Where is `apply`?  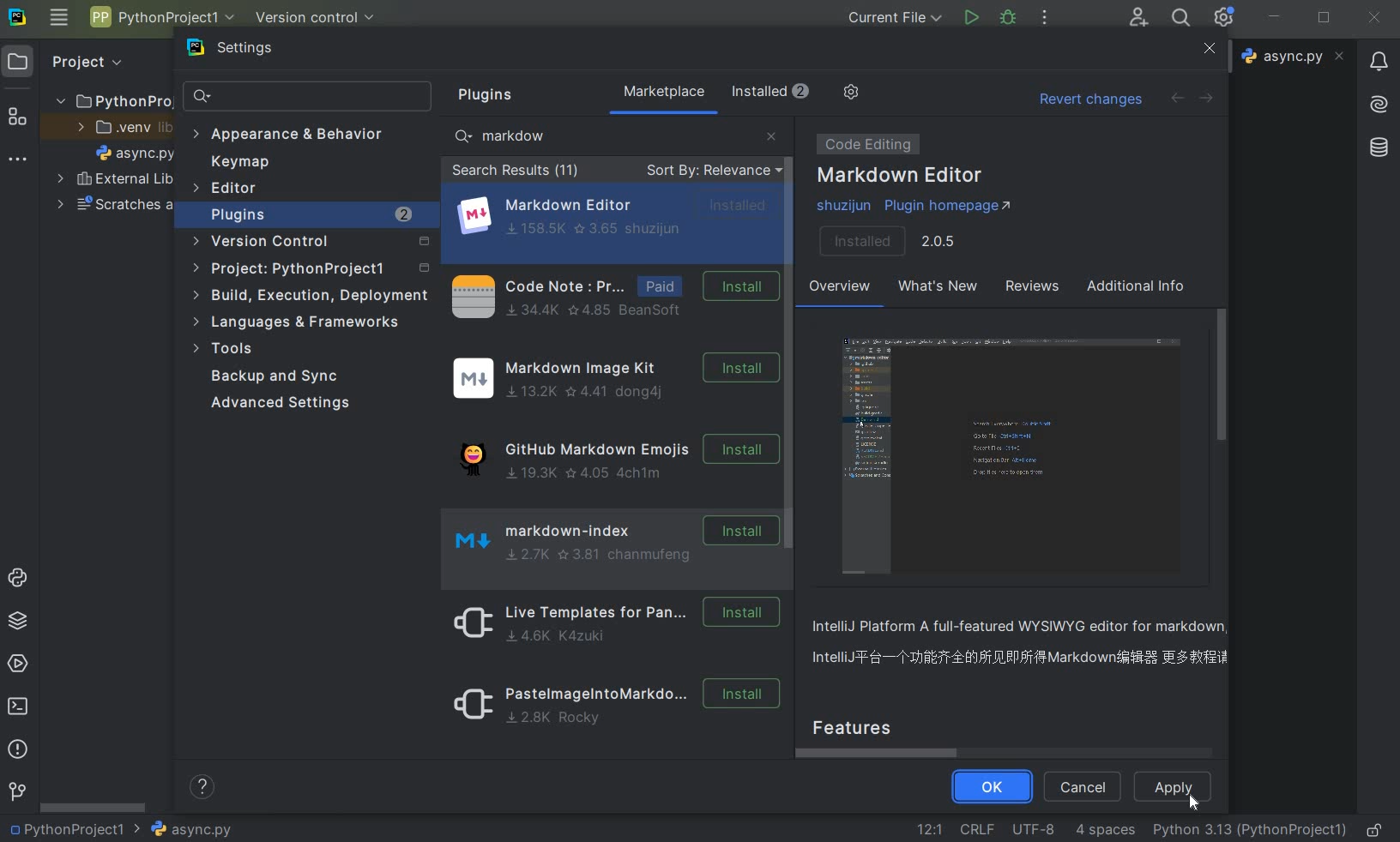 apply is located at coordinates (1175, 786).